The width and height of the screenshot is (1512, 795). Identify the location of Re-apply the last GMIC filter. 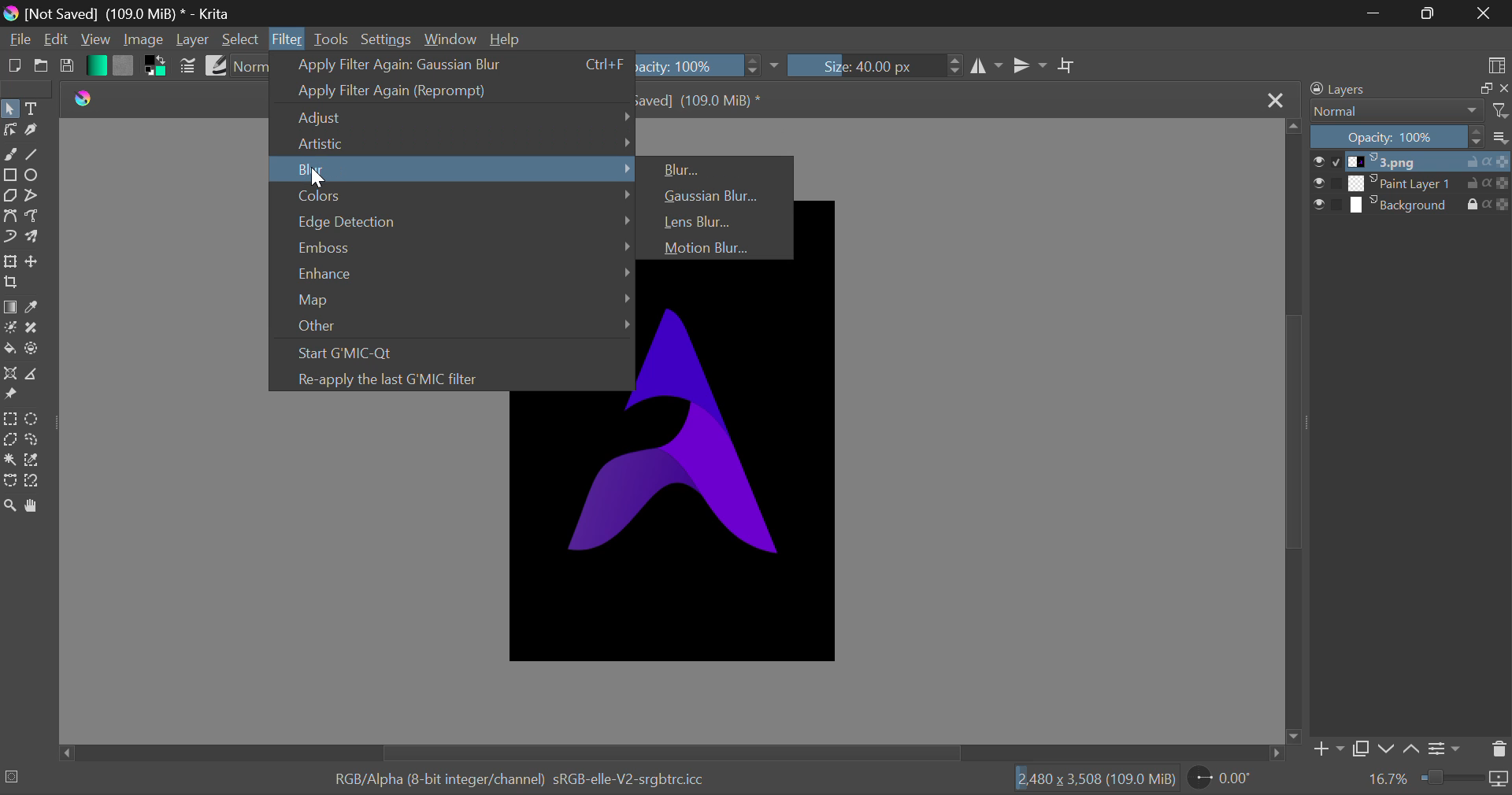
(446, 377).